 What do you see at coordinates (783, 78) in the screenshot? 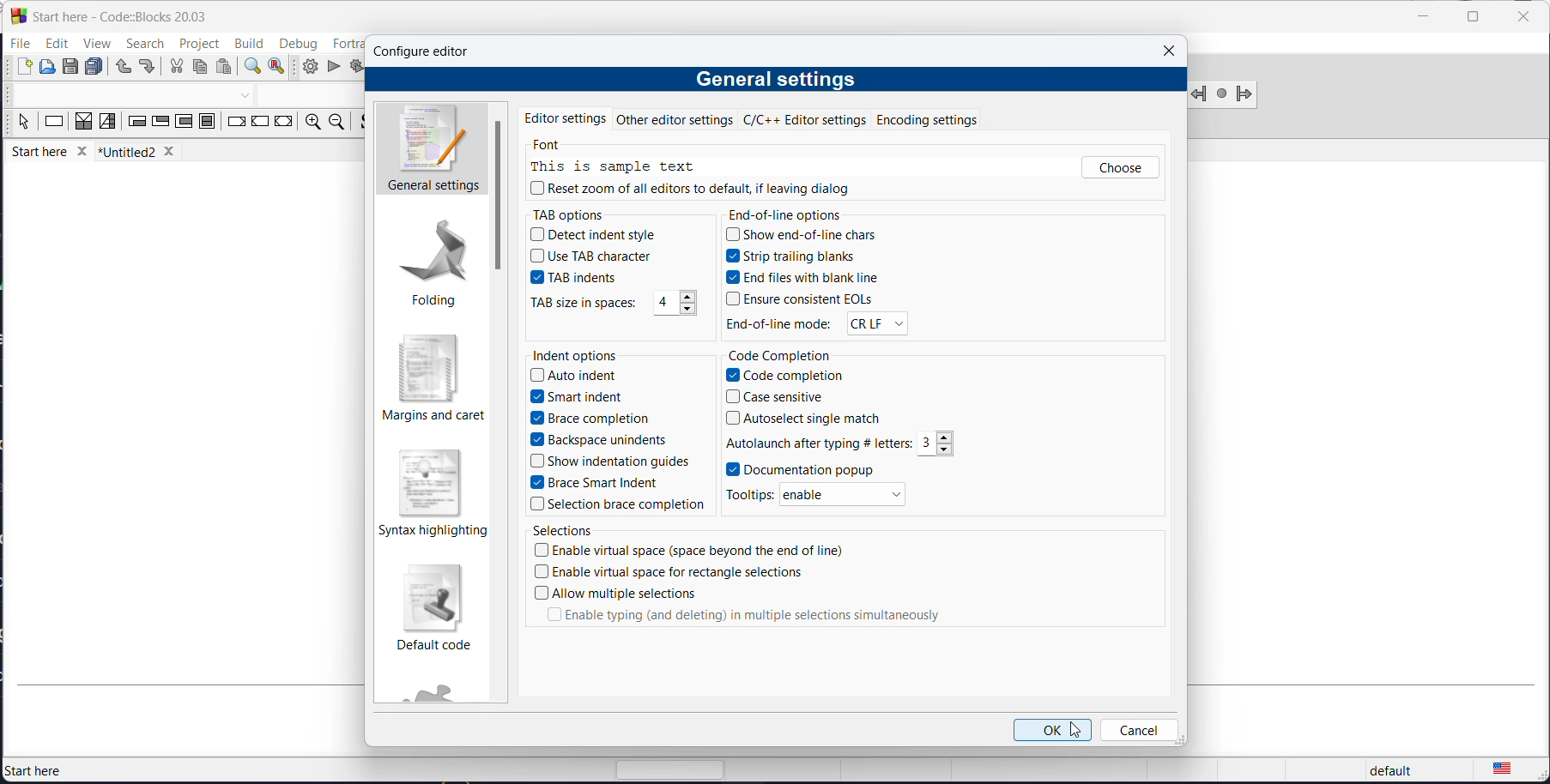
I see `general settings` at bounding box center [783, 78].